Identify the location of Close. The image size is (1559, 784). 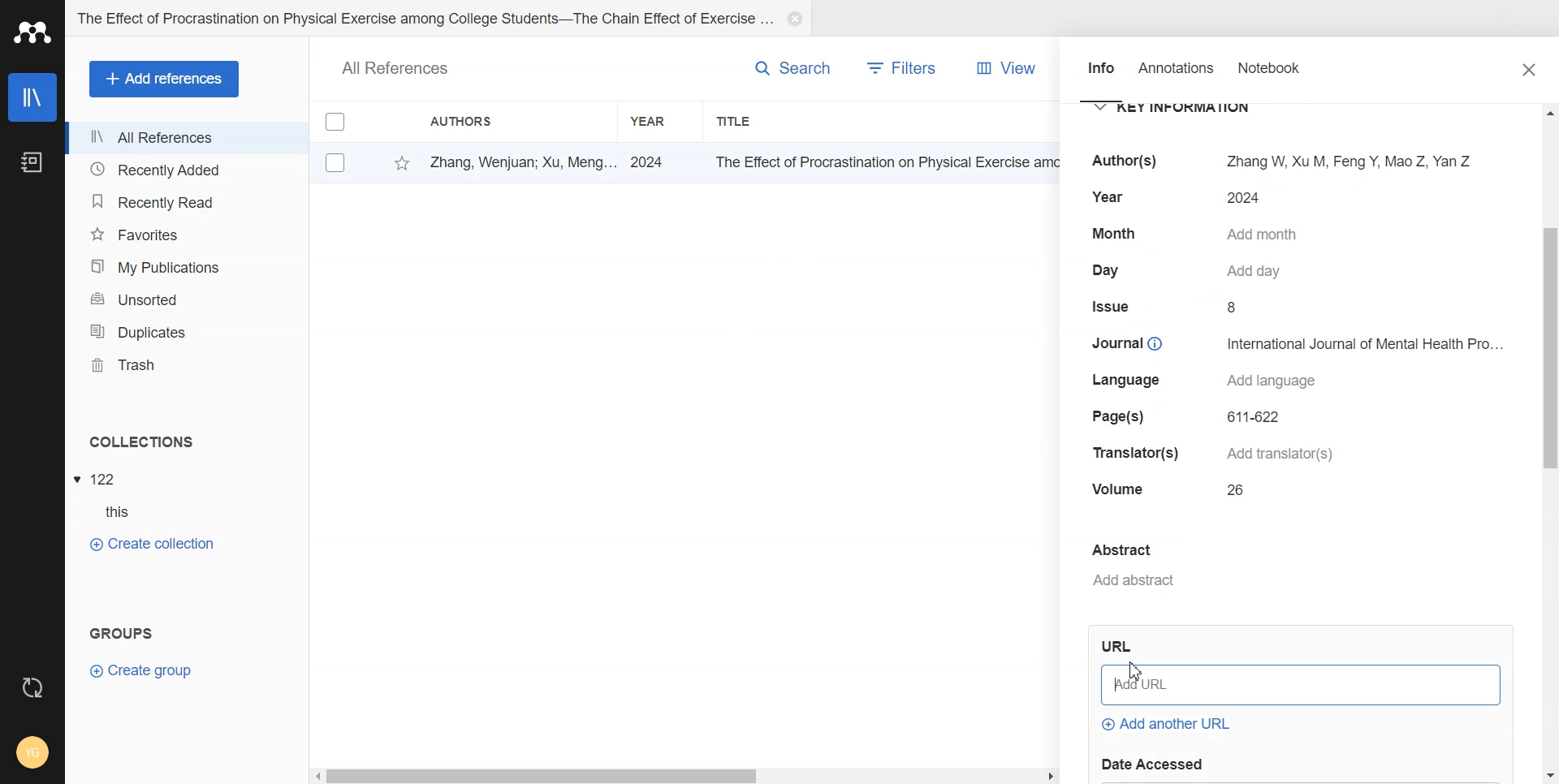
(1531, 70).